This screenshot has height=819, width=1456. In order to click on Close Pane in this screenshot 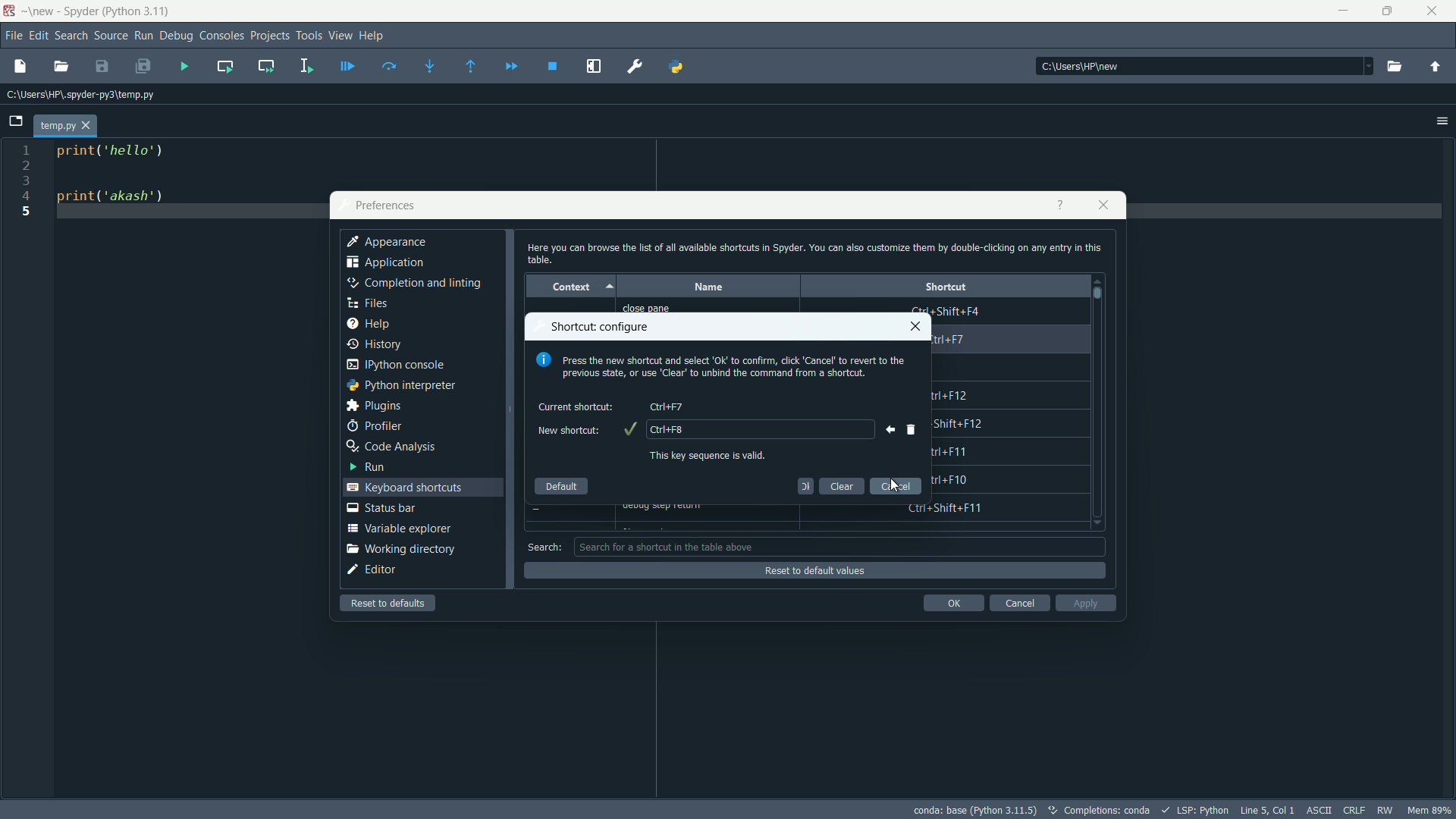, I will do `click(655, 308)`.